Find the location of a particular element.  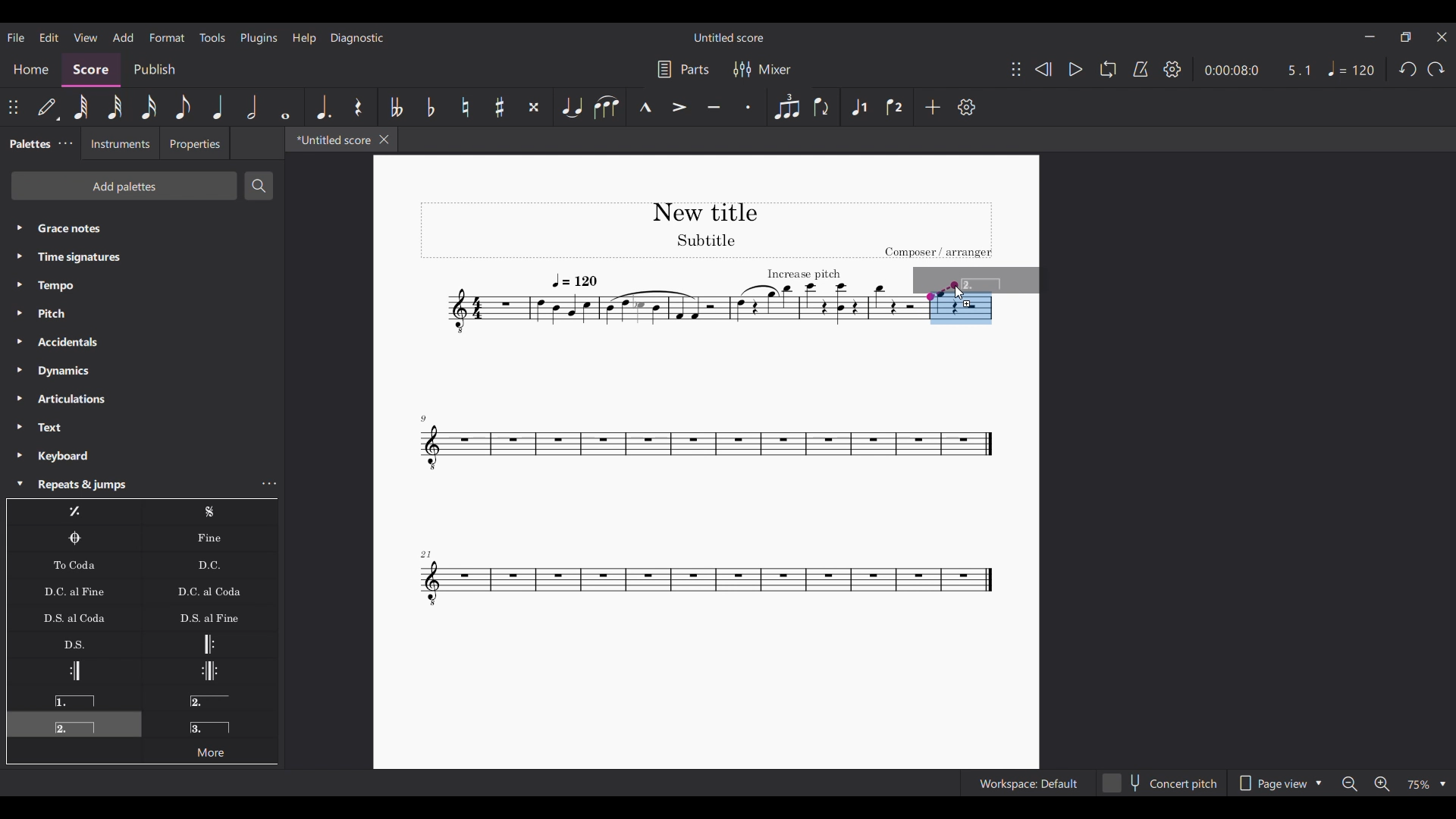

Settings is located at coordinates (1172, 69).